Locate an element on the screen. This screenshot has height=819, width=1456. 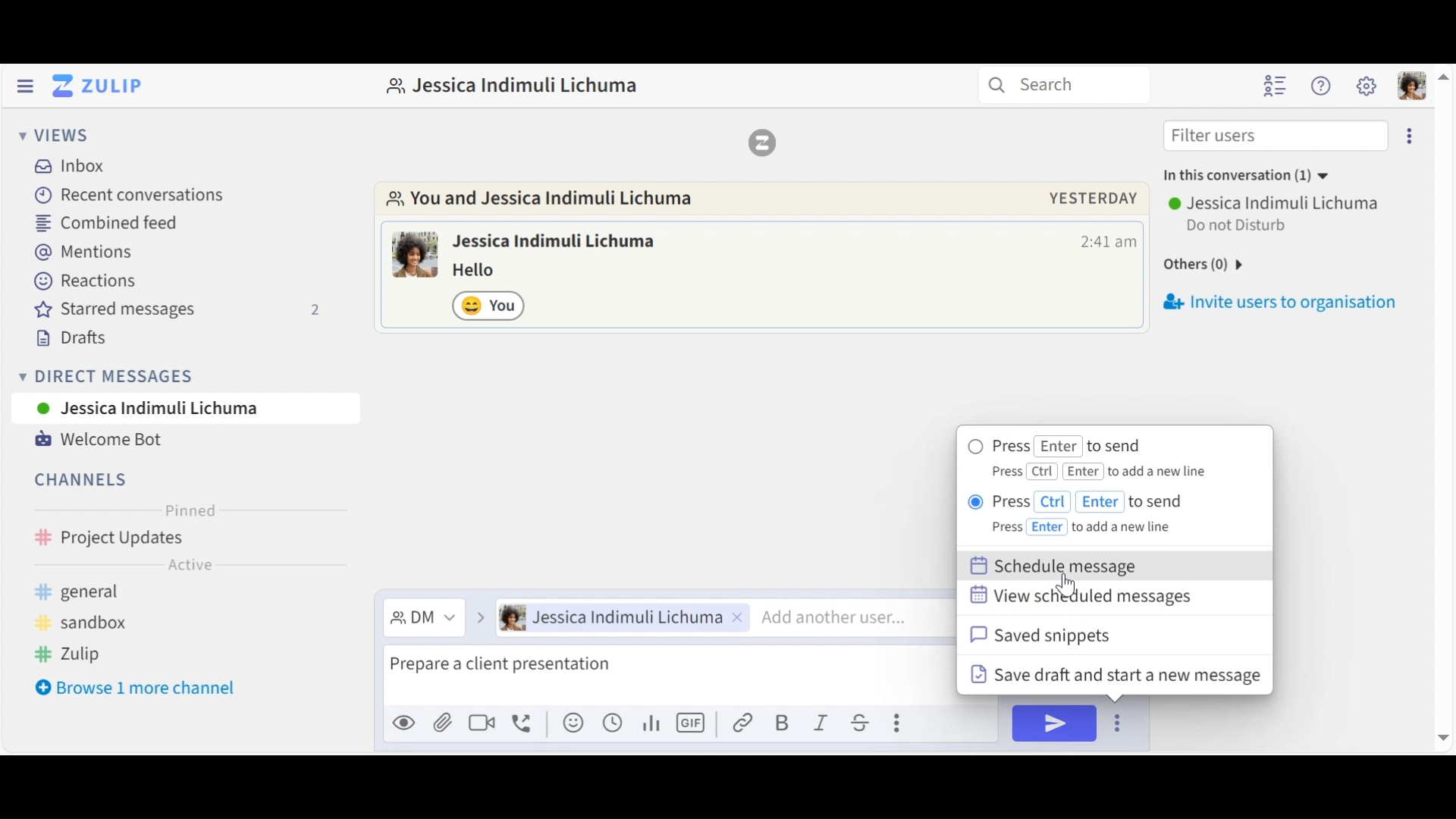
general is located at coordinates (138, 593).